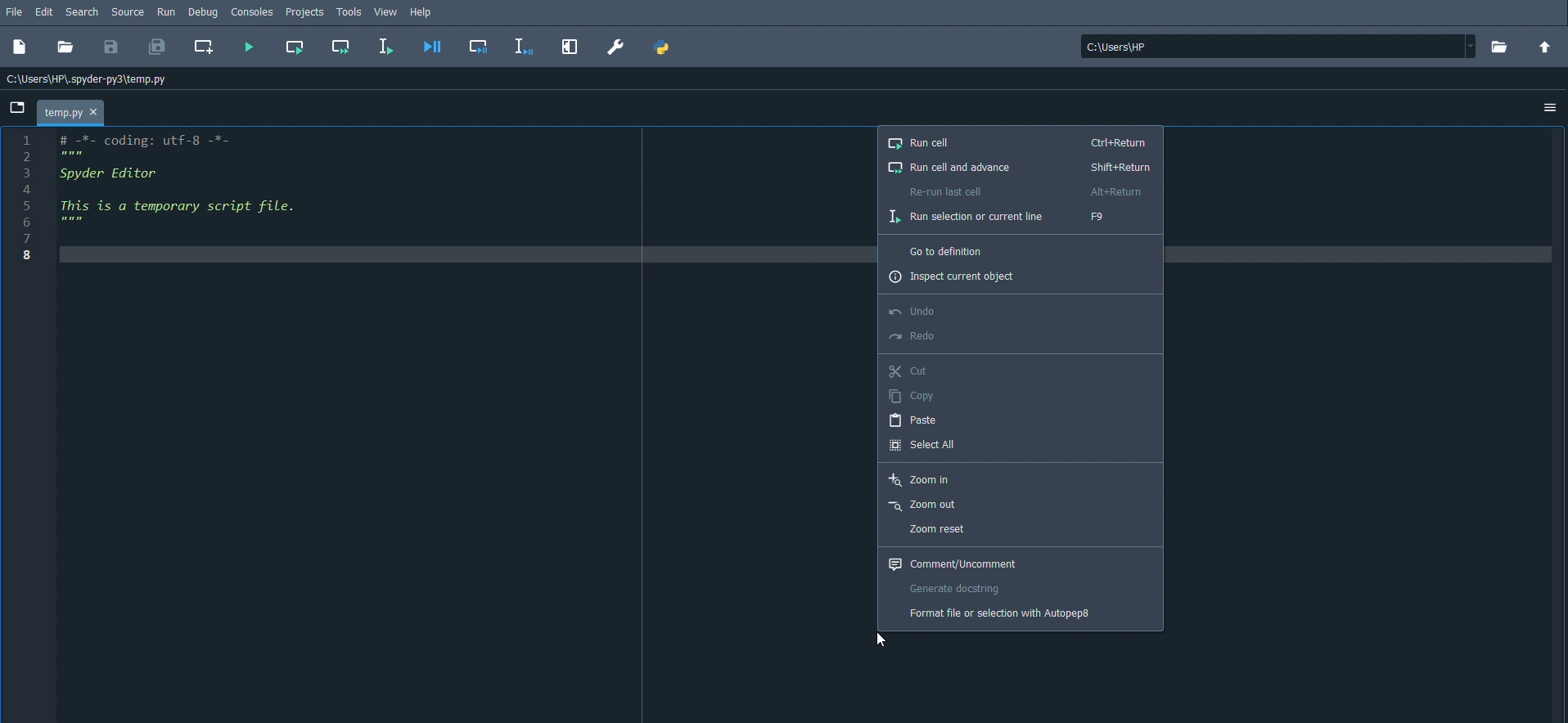 This screenshot has height=723, width=1568. What do you see at coordinates (572, 48) in the screenshot?
I see `Maximize current pane` at bounding box center [572, 48].